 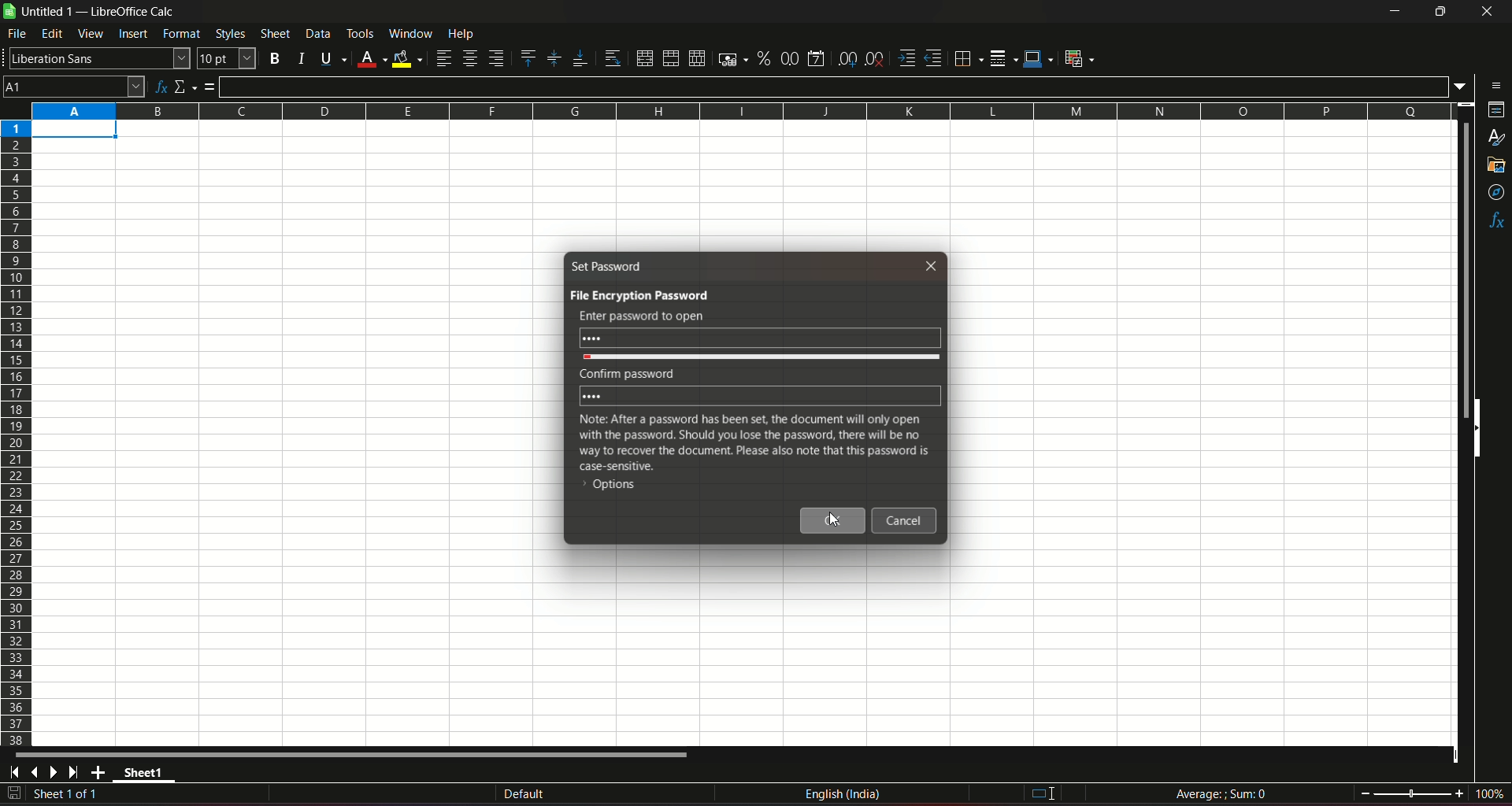 What do you see at coordinates (57, 773) in the screenshot?
I see `next sheet` at bounding box center [57, 773].